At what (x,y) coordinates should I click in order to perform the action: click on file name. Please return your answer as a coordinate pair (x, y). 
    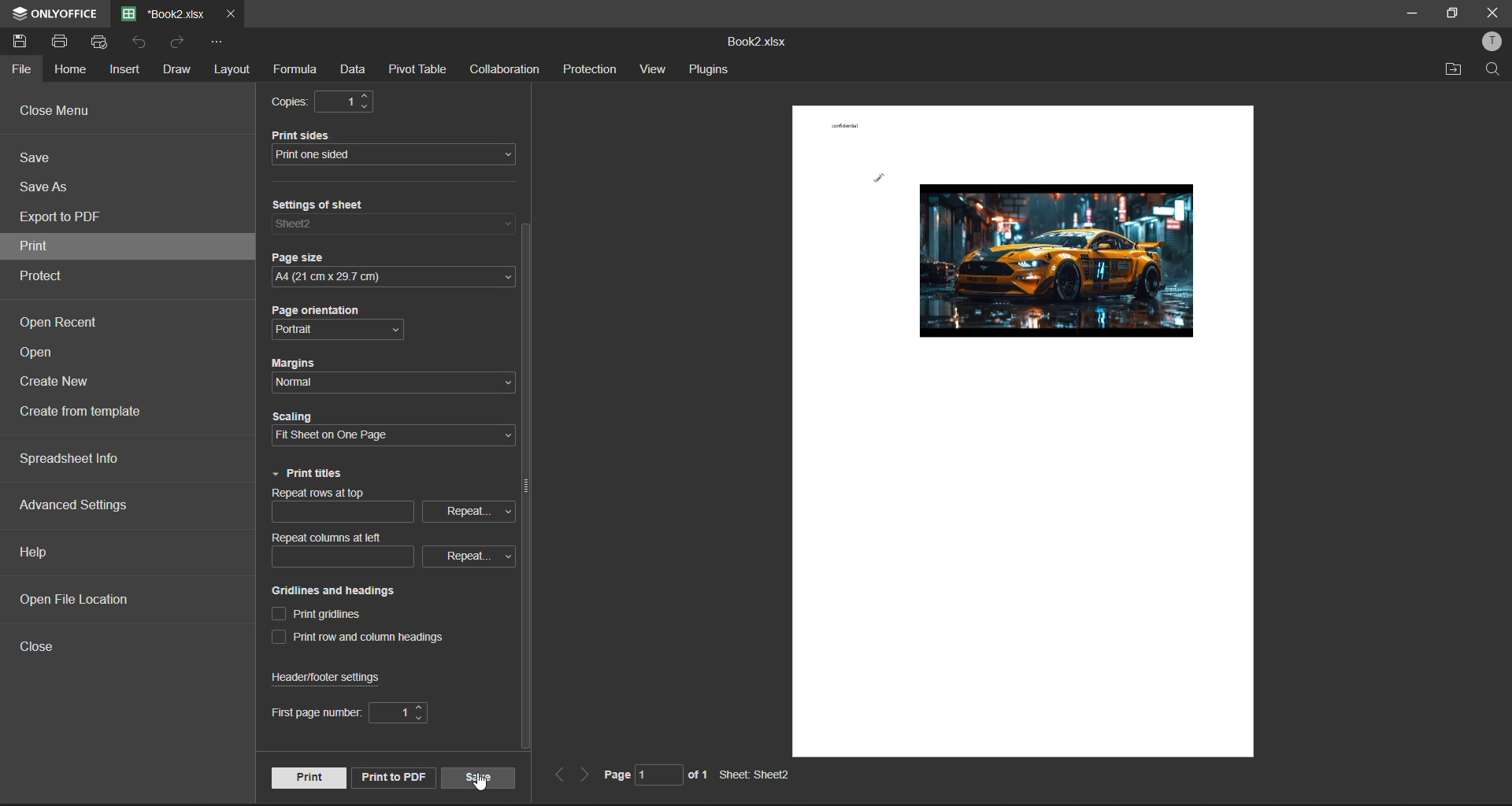
    Looking at the image, I should click on (164, 14).